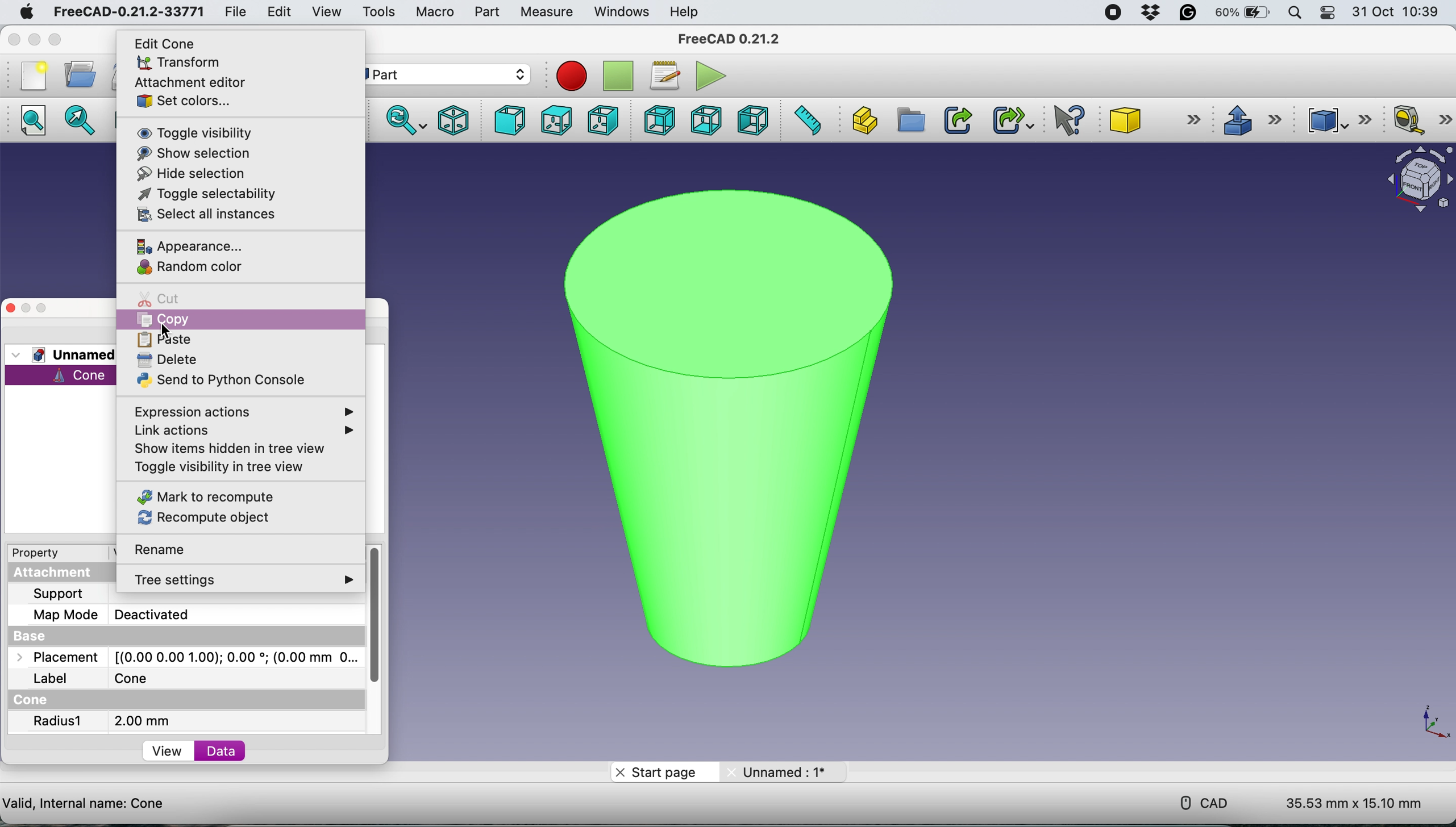 This screenshot has width=1456, height=827. What do you see at coordinates (61, 594) in the screenshot?
I see `support` at bounding box center [61, 594].